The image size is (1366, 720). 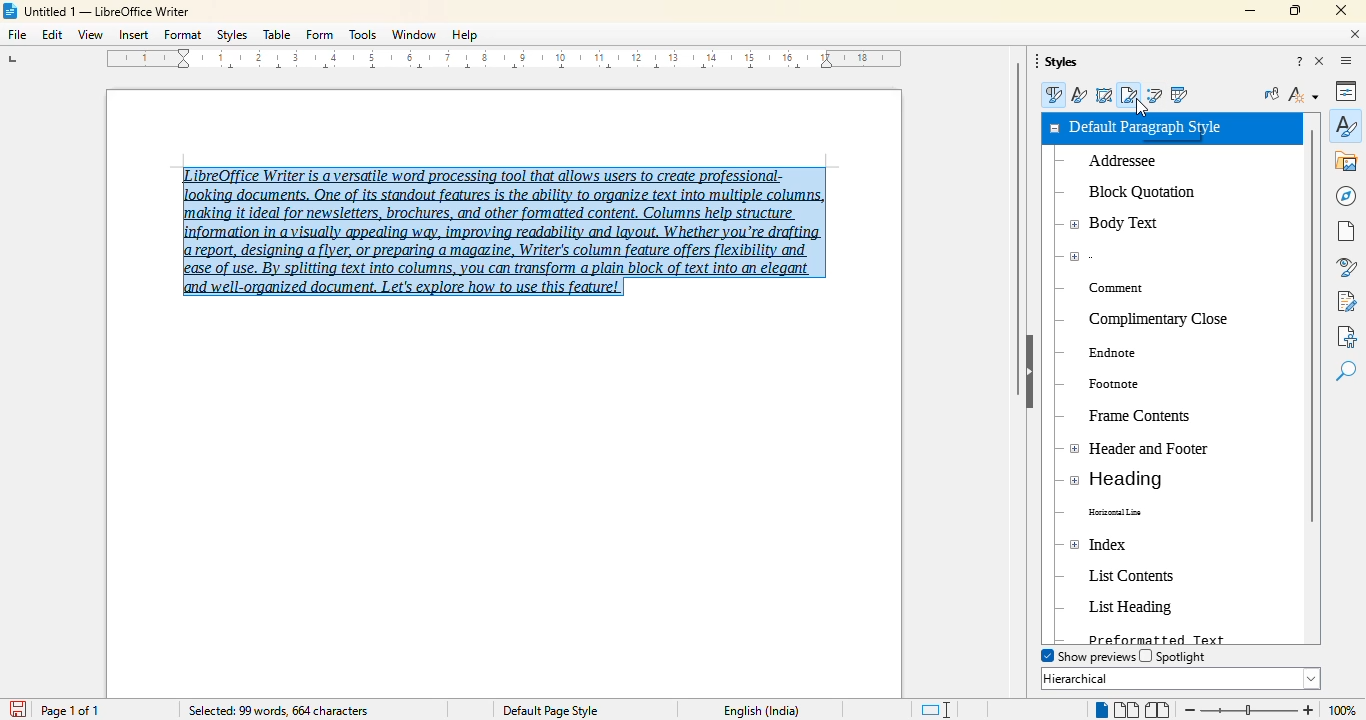 What do you see at coordinates (1181, 678) in the screenshot?
I see `hierarchical` at bounding box center [1181, 678].